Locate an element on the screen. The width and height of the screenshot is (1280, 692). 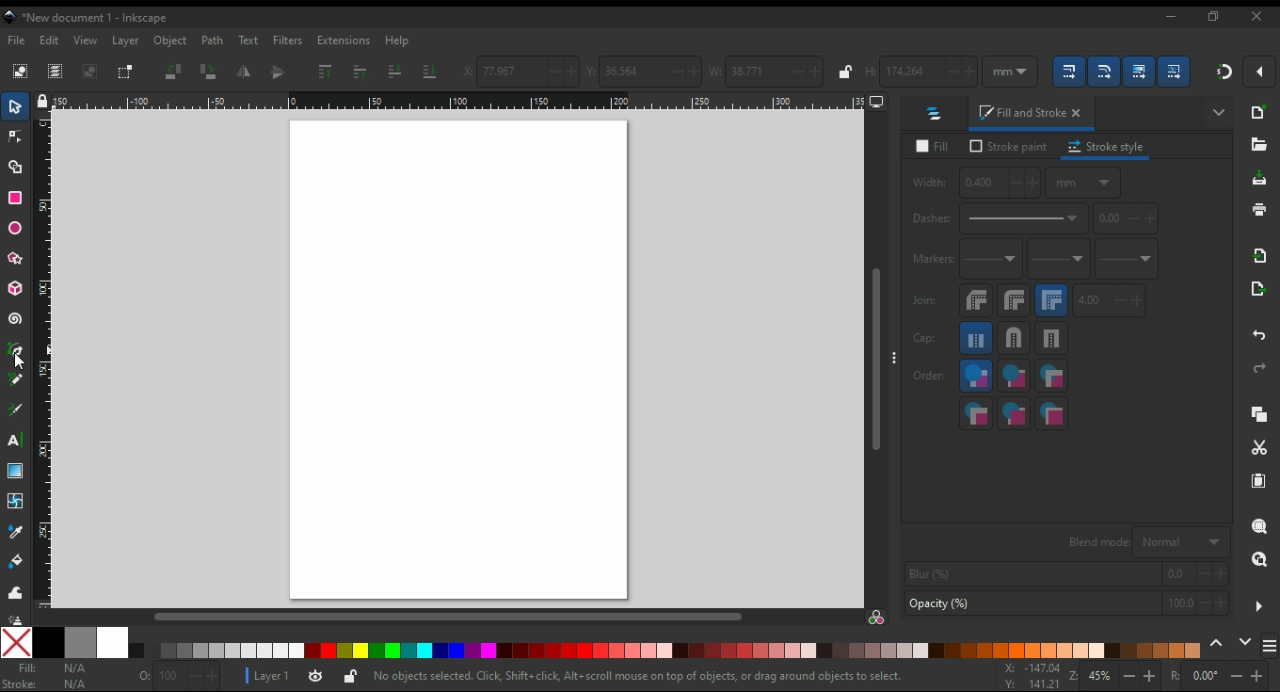
square is located at coordinates (1053, 338).